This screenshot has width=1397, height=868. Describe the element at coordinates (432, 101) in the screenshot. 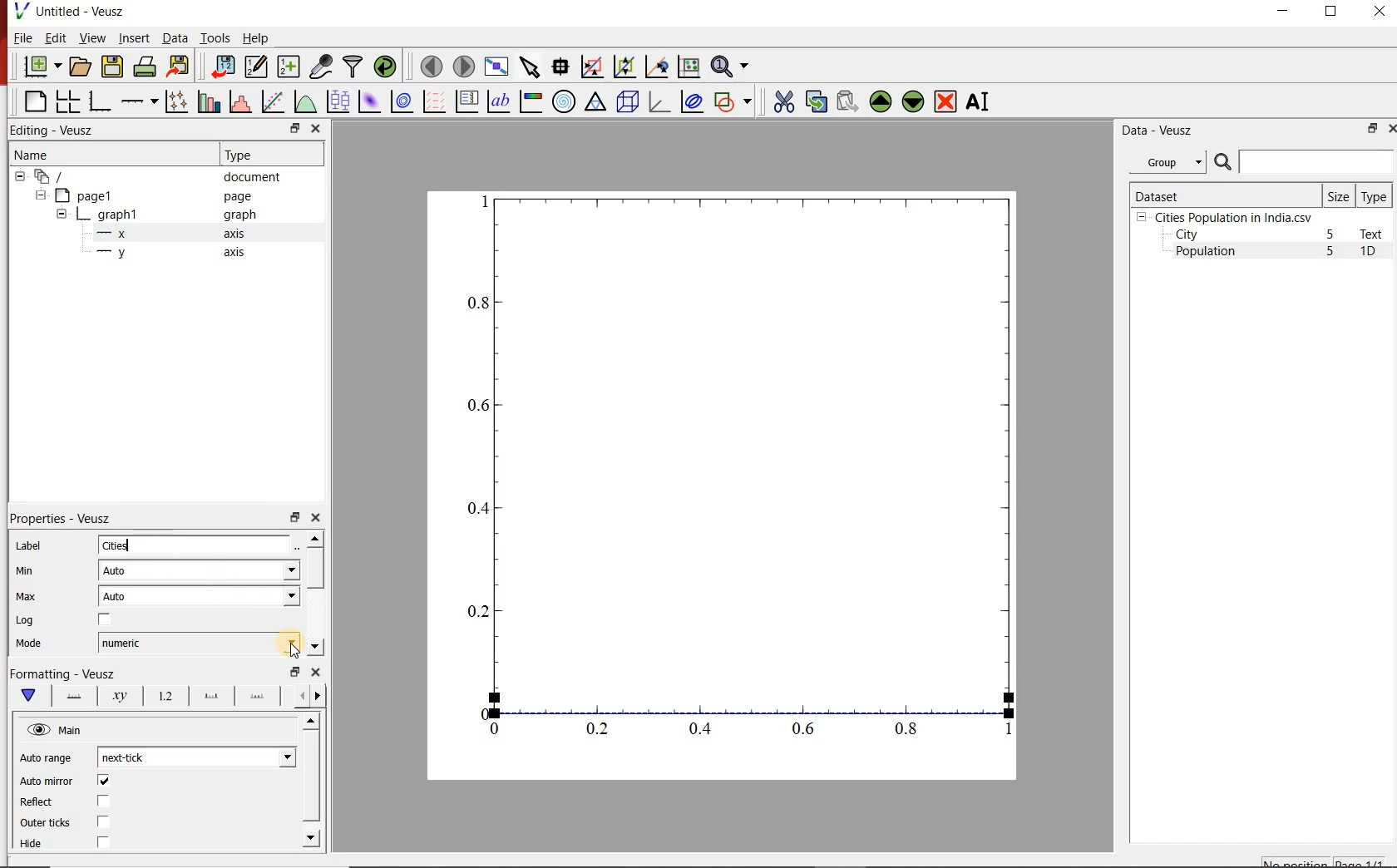

I see `plot a vector field` at that location.